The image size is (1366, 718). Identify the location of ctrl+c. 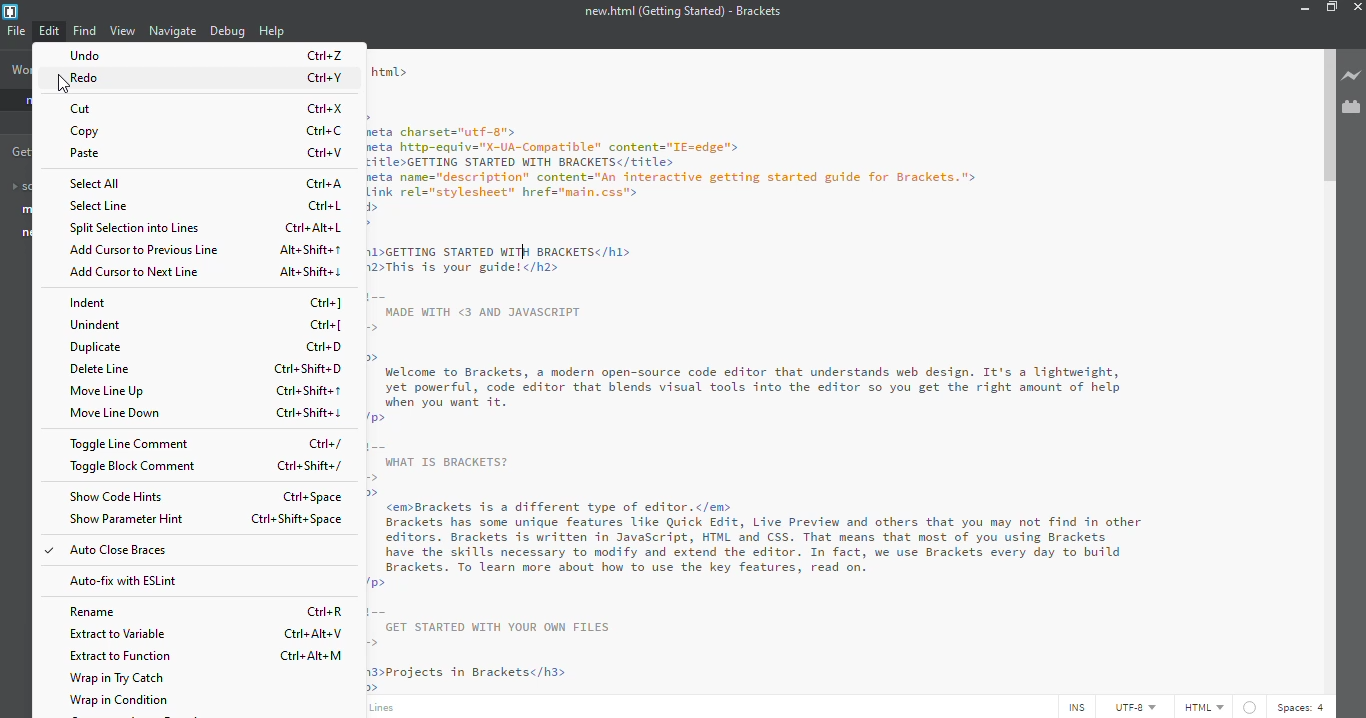
(324, 131).